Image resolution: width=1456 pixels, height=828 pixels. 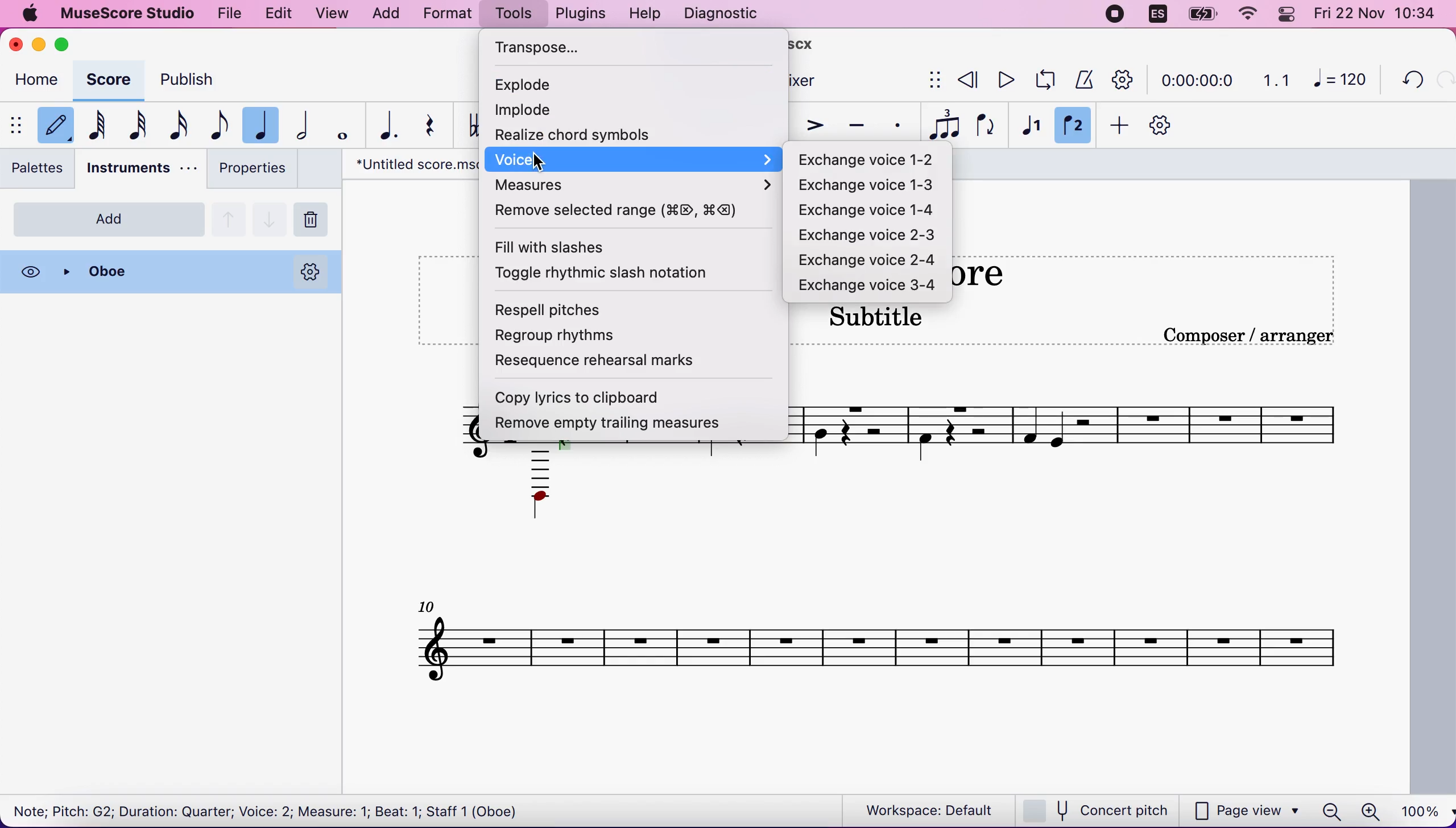 What do you see at coordinates (104, 123) in the screenshot?
I see `64th note` at bounding box center [104, 123].